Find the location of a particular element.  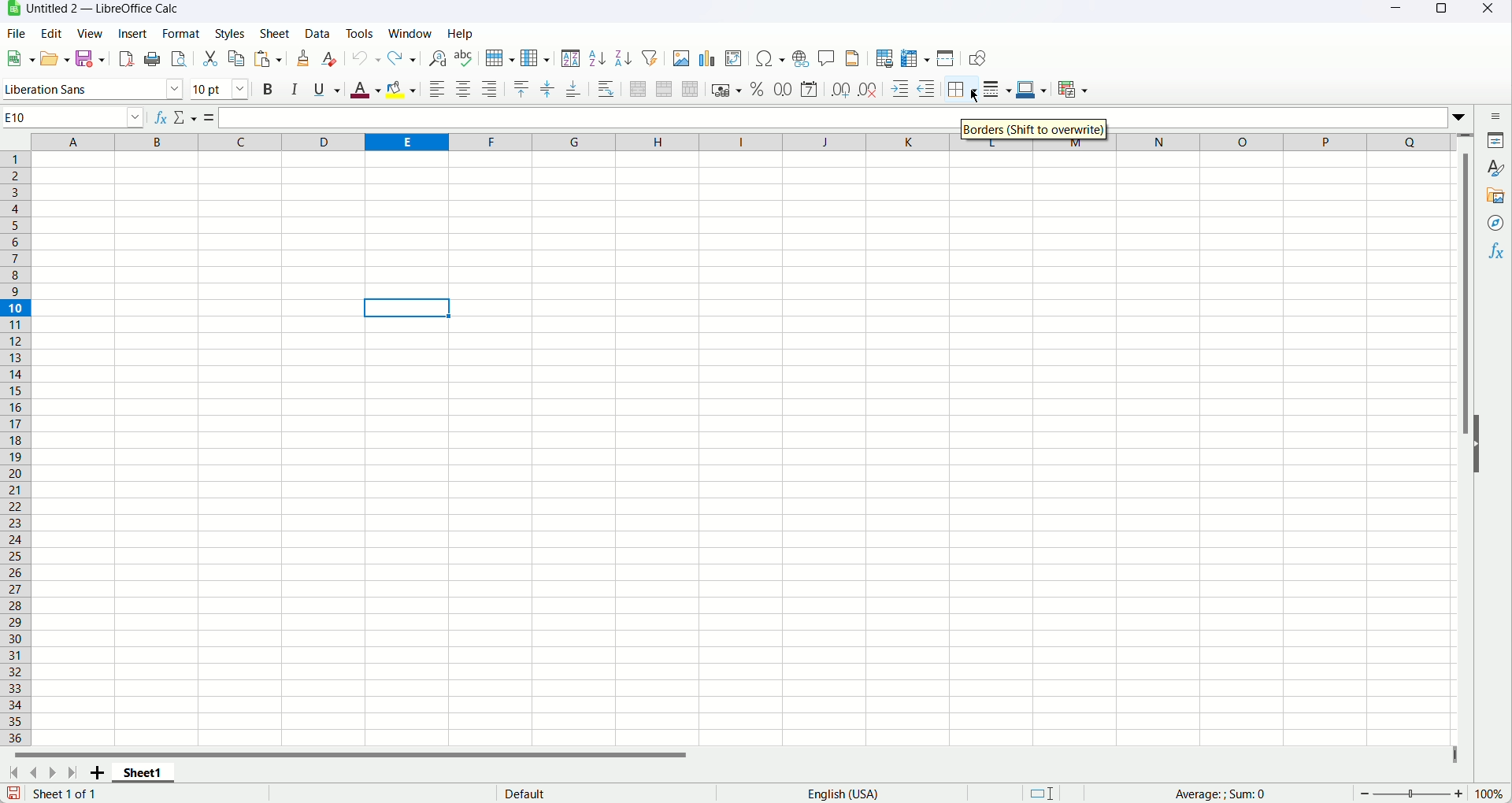

Redo is located at coordinates (404, 58).